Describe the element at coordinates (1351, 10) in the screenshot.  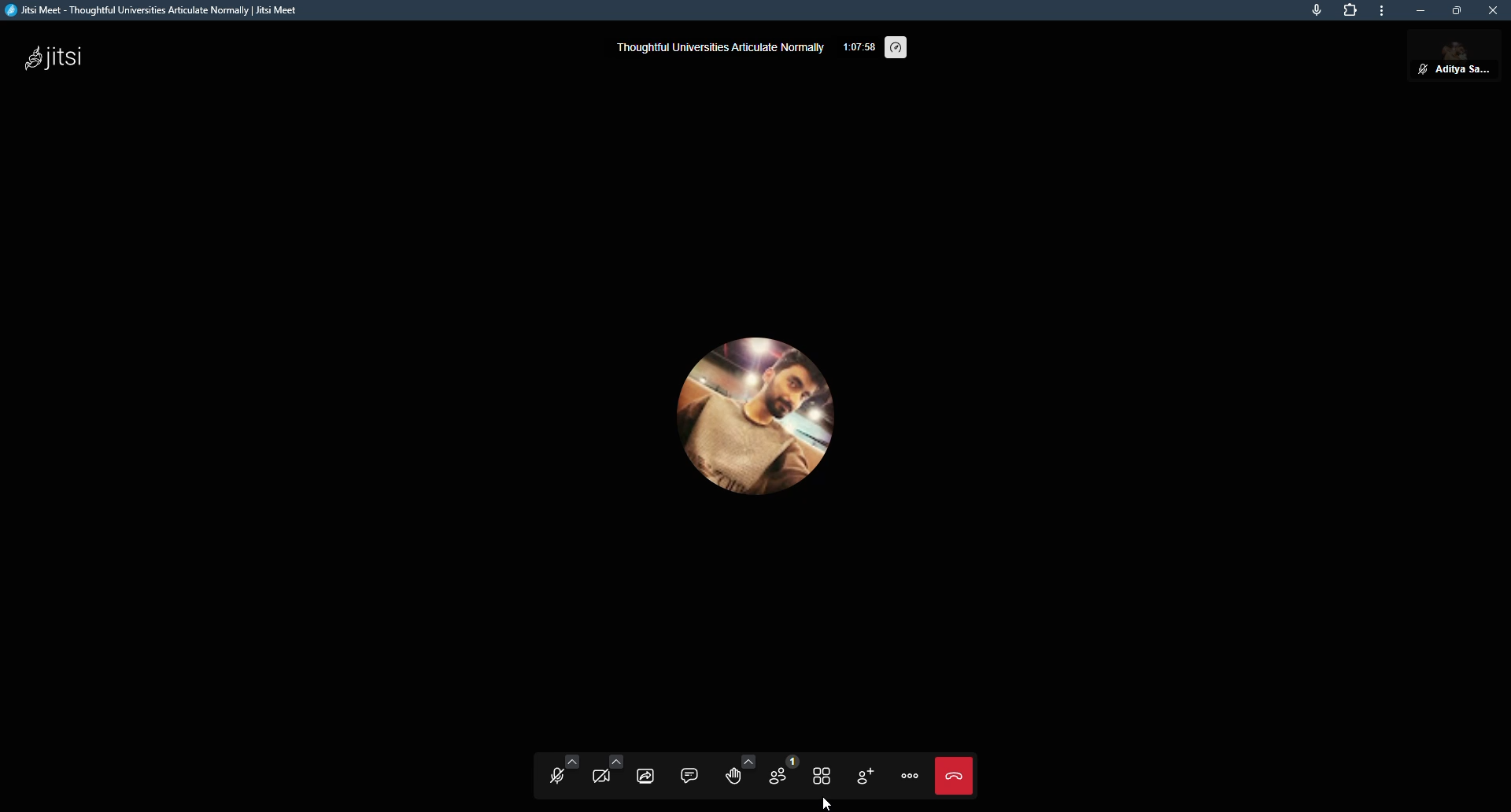
I see `extensions` at that location.